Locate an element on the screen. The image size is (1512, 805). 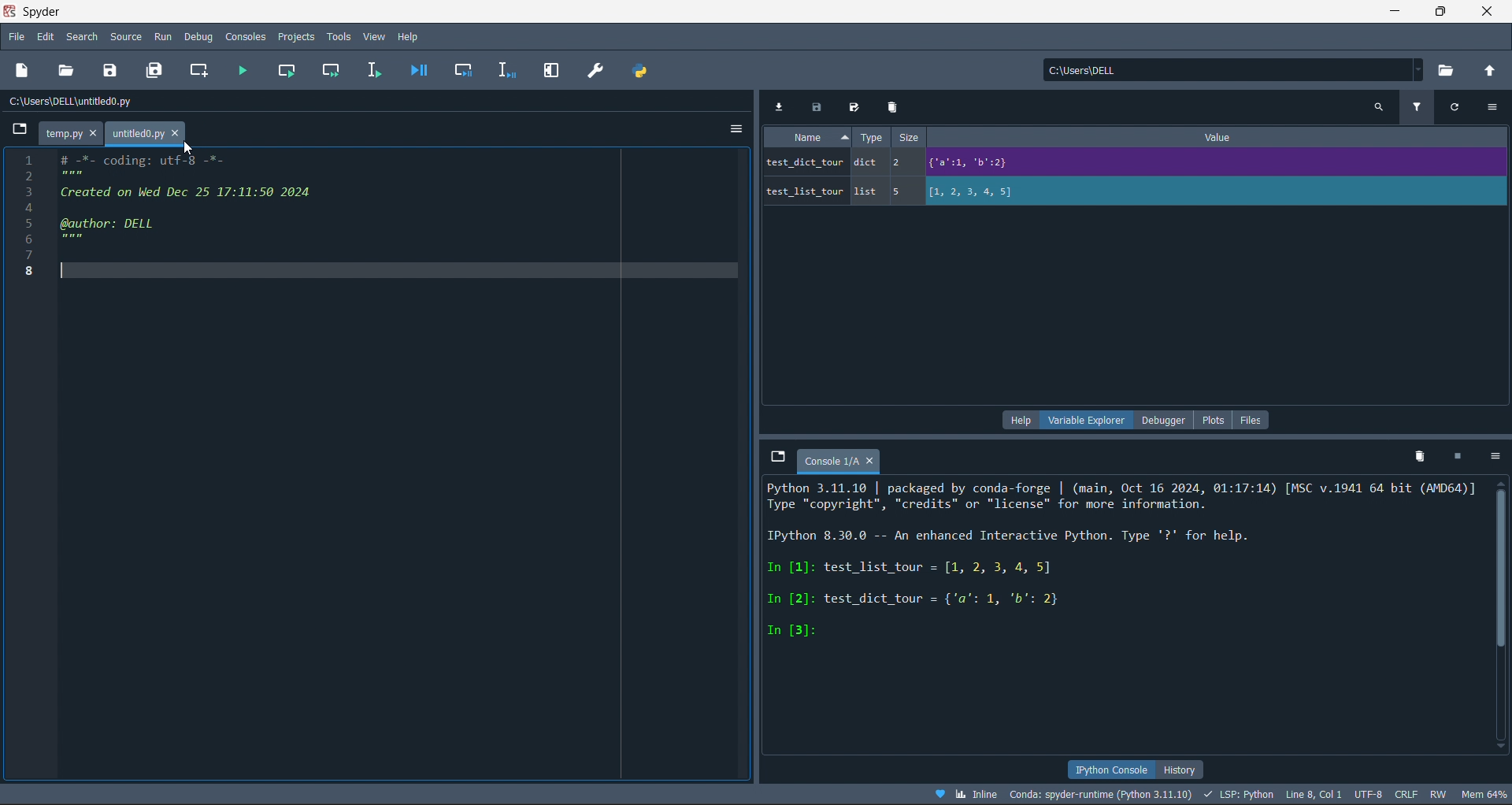
#.*. config utf-8 -*-  Created on Wed Dec 25 17:11:50 2024a5 @author: DELL is located at coordinates (395, 214).